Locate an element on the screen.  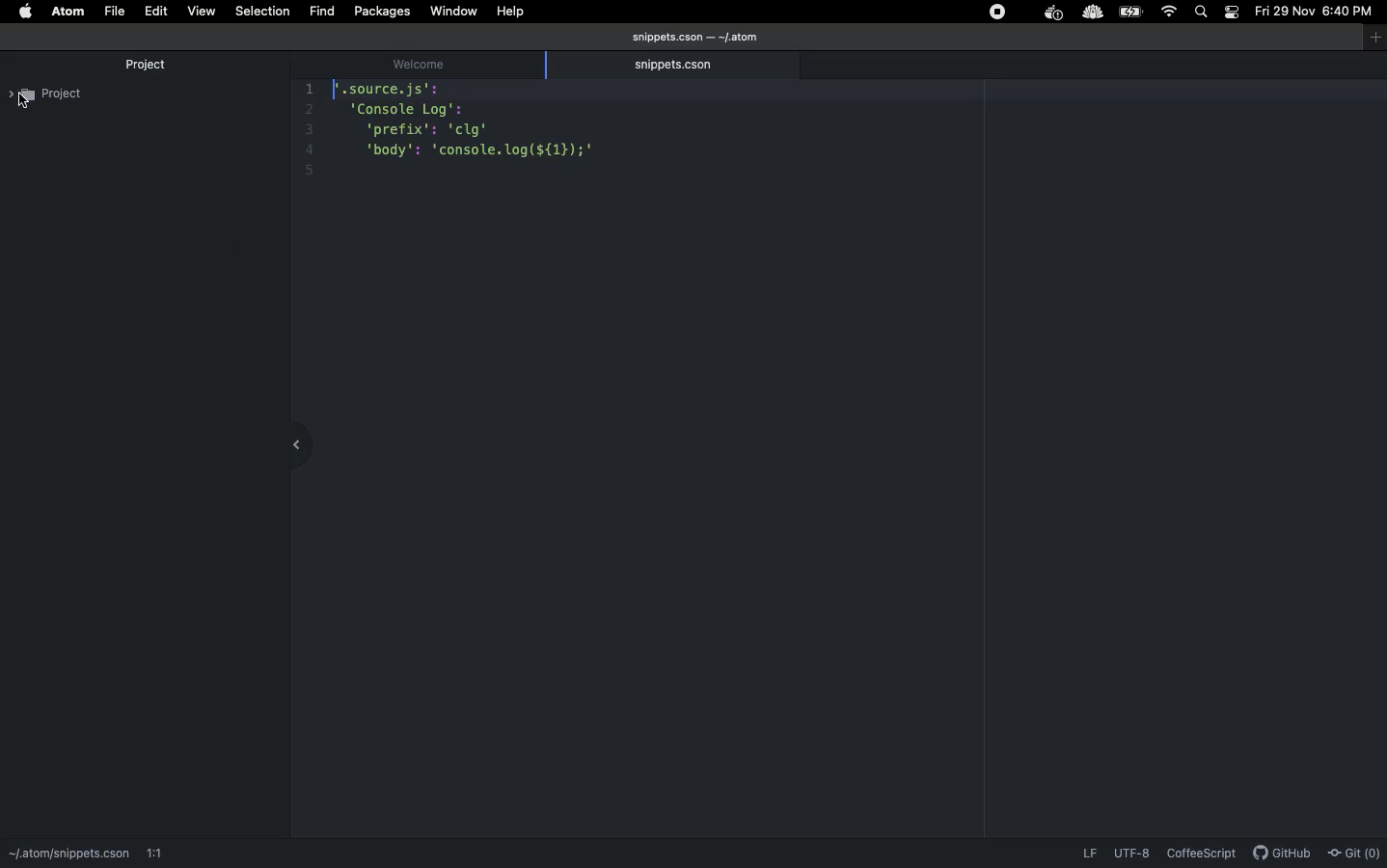
CoffeScript is located at coordinates (1199, 853).